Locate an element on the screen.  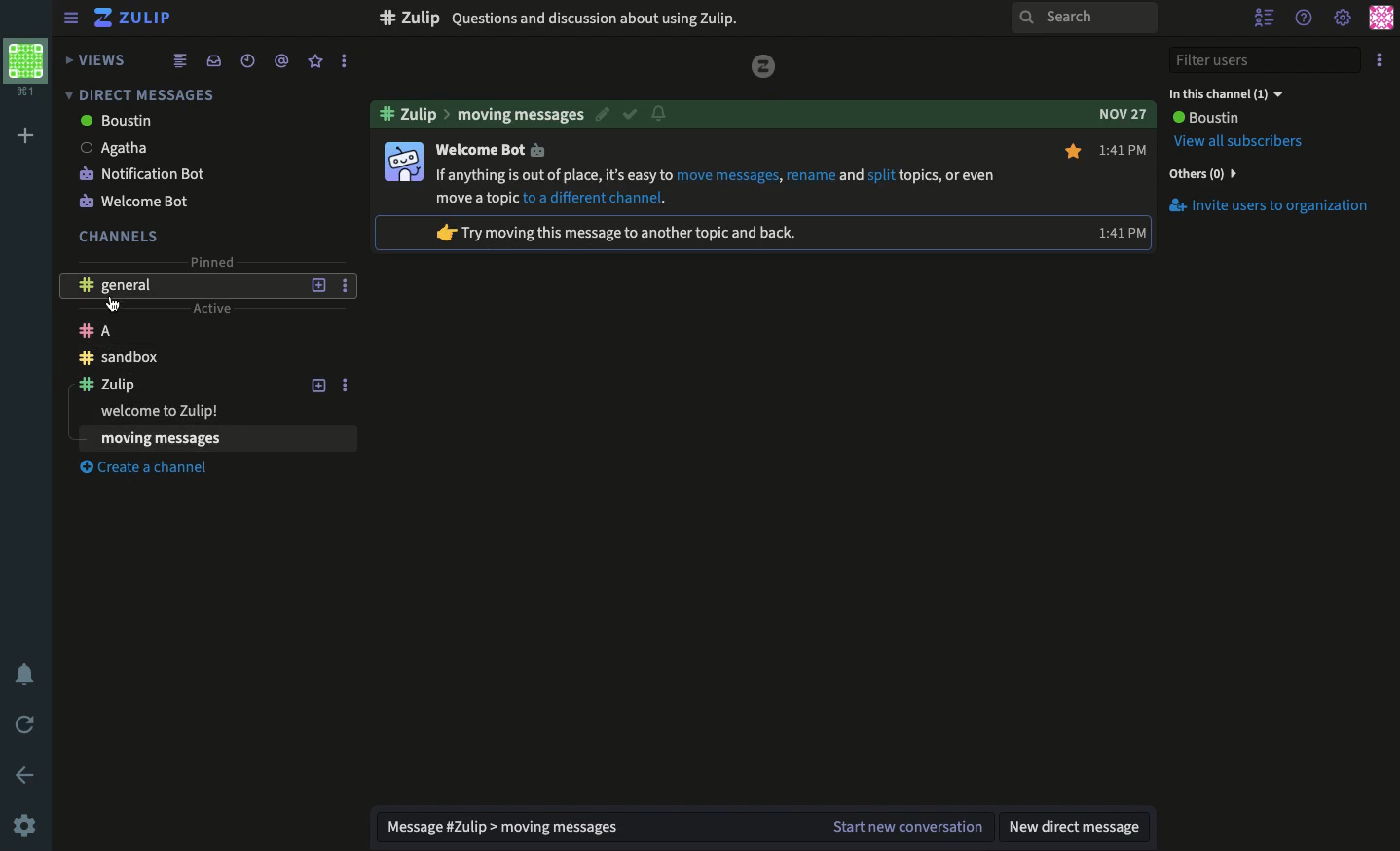
Back is located at coordinates (27, 775).